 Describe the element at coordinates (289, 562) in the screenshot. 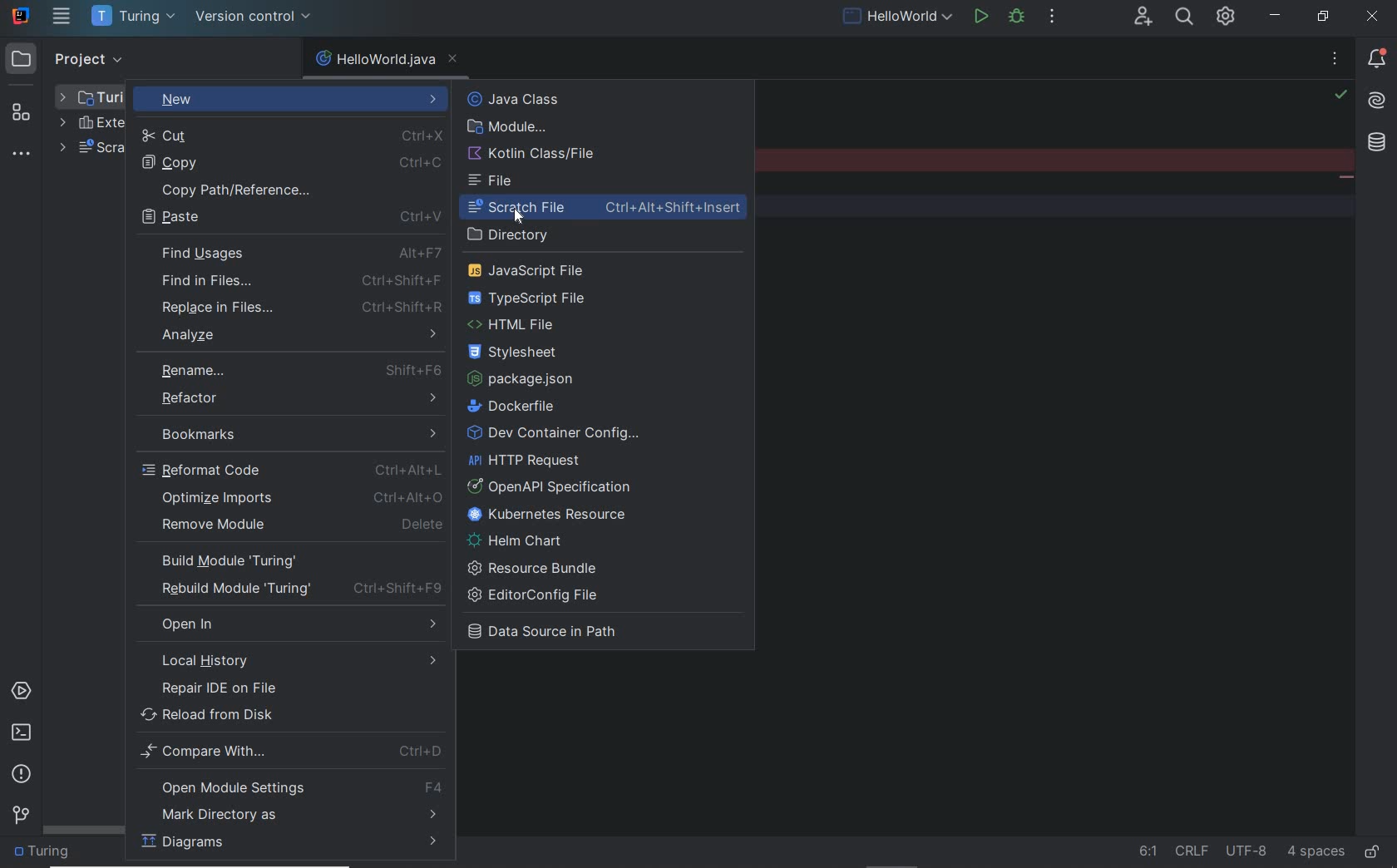

I see `build module` at that location.